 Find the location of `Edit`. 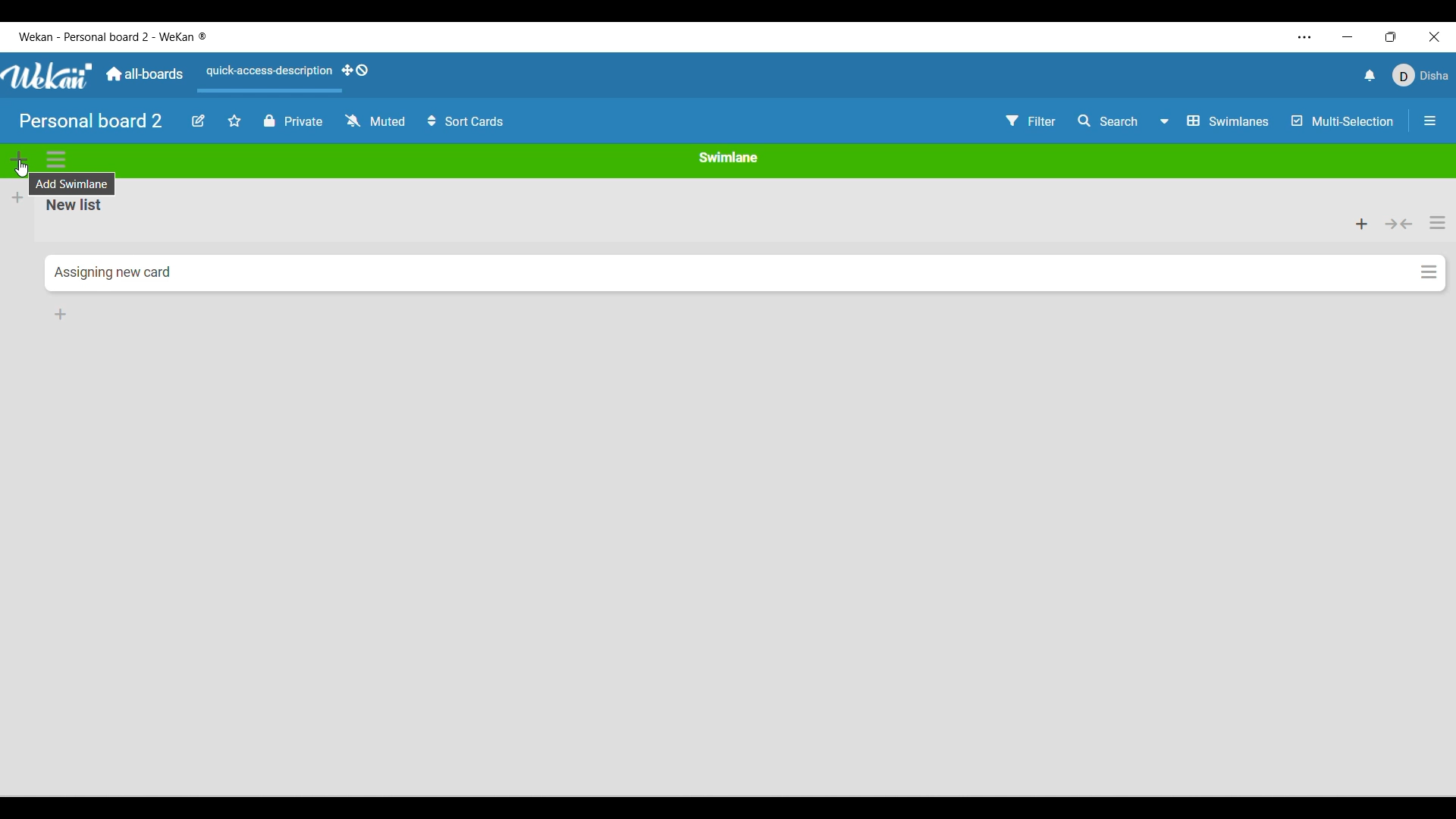

Edit is located at coordinates (199, 120).